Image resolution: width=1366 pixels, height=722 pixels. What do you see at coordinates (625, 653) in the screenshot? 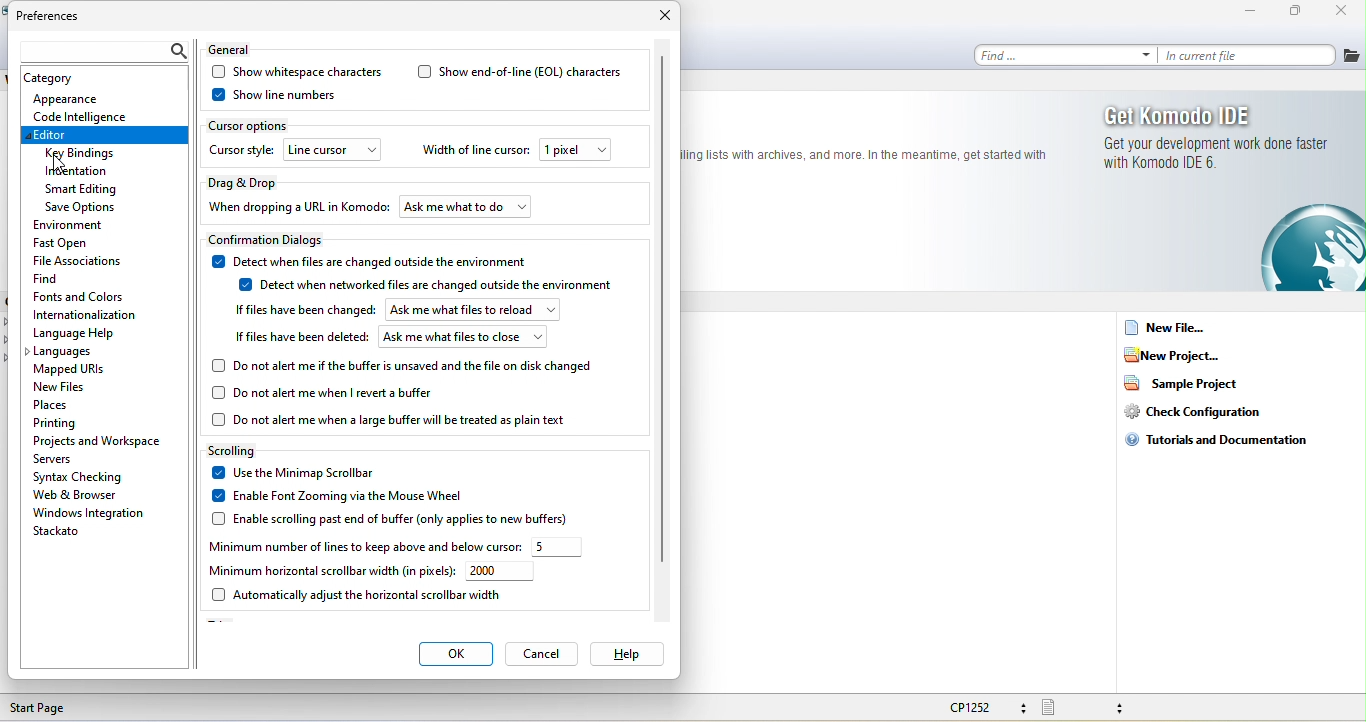
I see `help` at bounding box center [625, 653].